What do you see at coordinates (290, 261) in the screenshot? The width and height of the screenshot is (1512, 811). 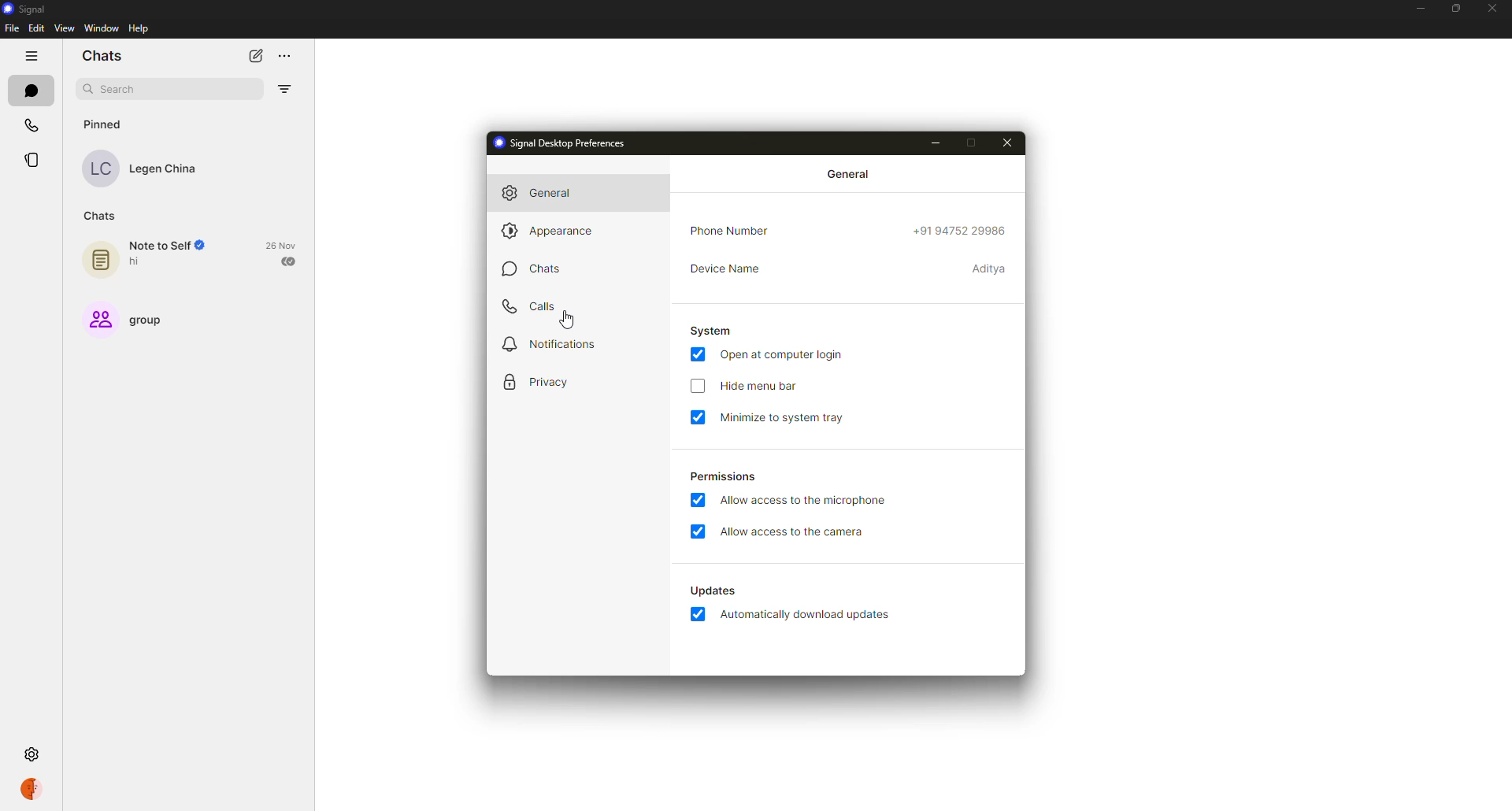 I see `sent` at bounding box center [290, 261].